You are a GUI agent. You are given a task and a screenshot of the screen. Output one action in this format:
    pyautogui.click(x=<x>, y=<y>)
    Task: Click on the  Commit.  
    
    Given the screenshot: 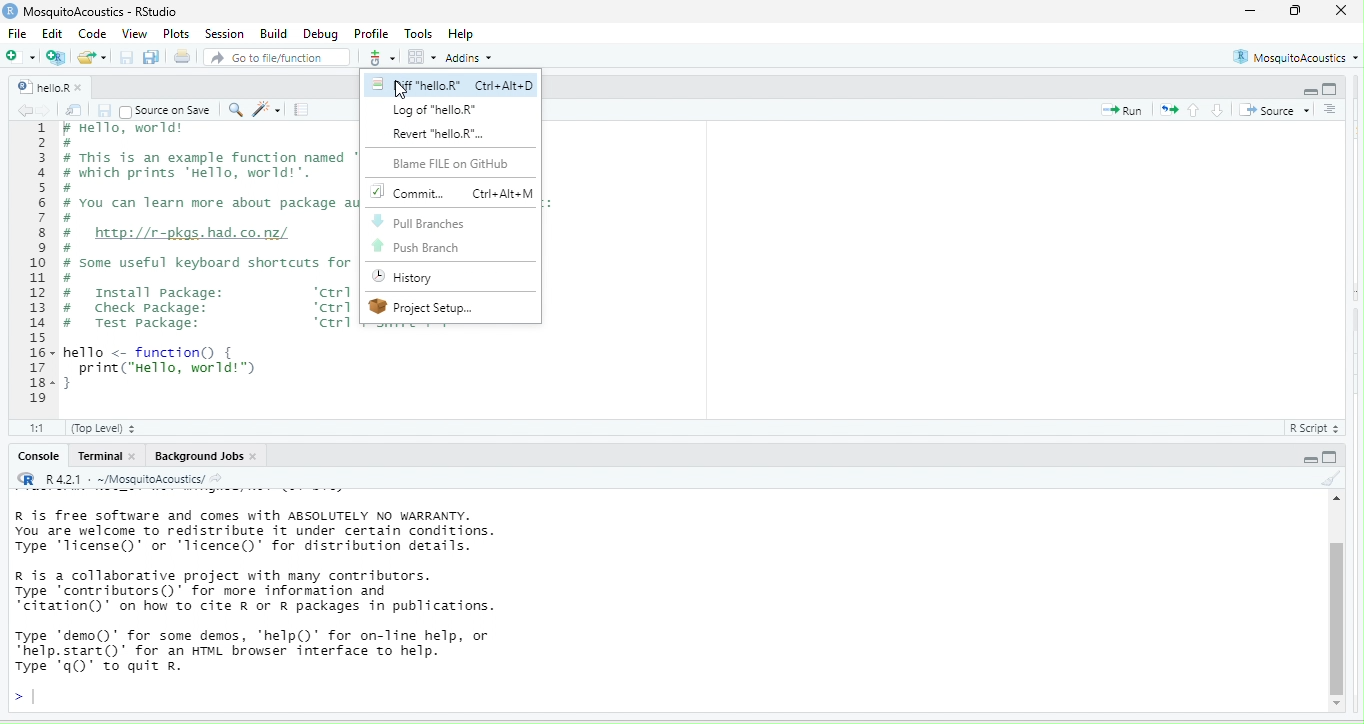 What is the action you would take?
    pyautogui.click(x=451, y=192)
    